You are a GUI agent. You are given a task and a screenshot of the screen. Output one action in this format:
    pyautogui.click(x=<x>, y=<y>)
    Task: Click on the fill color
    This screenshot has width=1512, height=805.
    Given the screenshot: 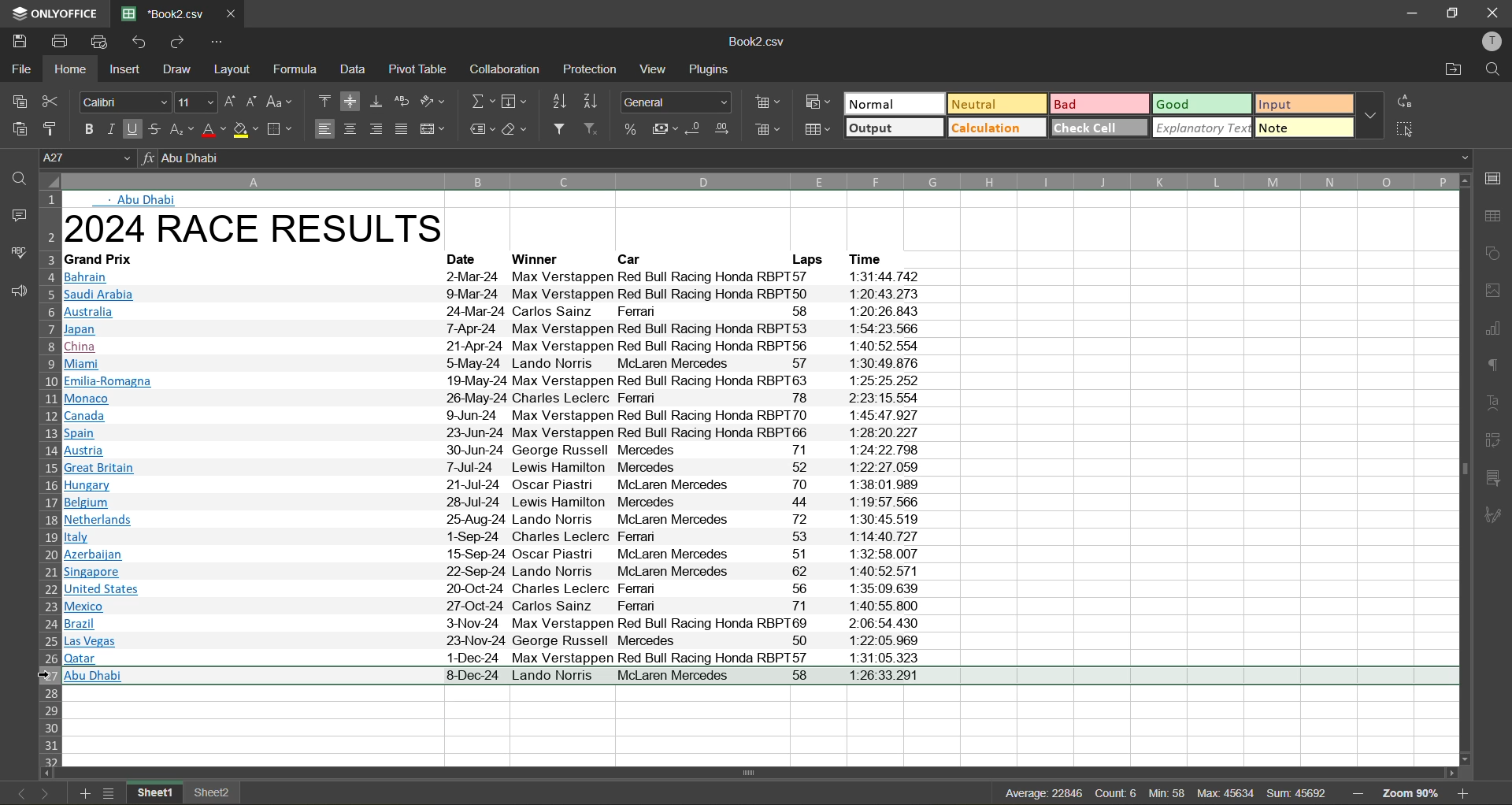 What is the action you would take?
    pyautogui.click(x=246, y=129)
    